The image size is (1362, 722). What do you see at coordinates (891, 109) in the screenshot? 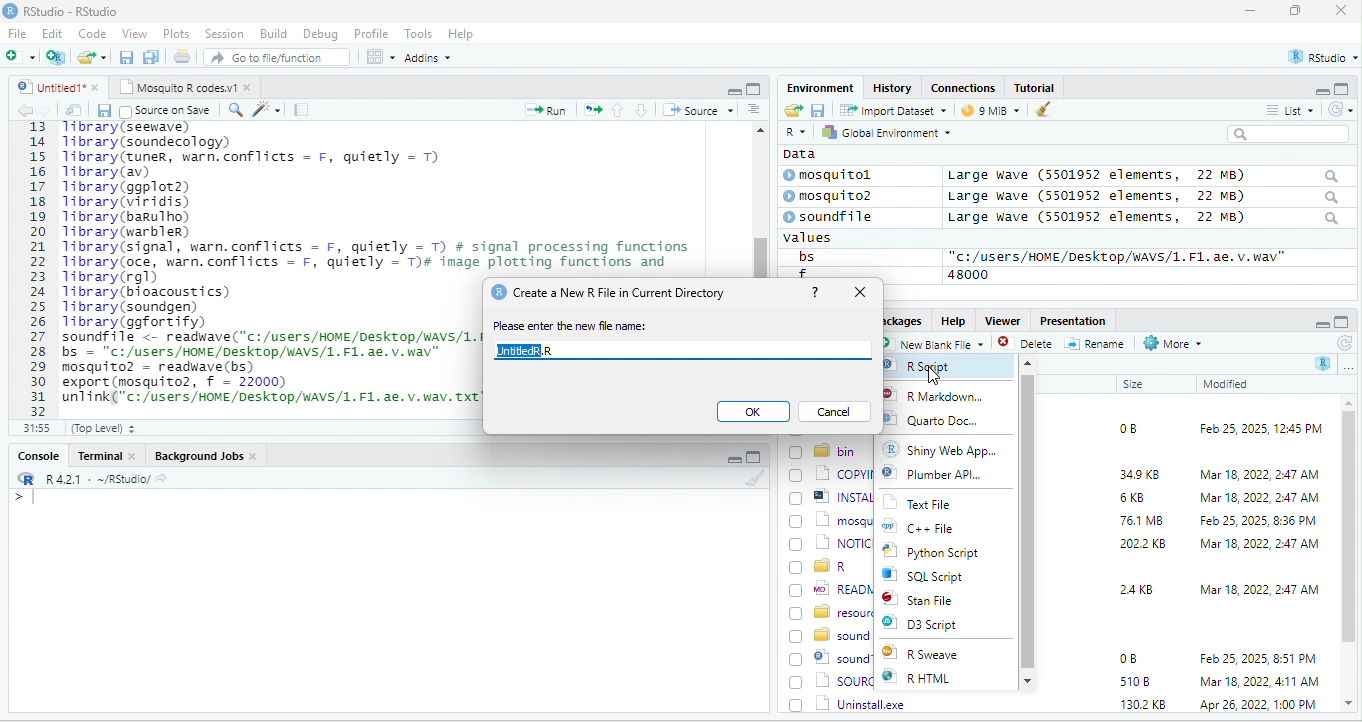
I see `# import Dataset` at bounding box center [891, 109].